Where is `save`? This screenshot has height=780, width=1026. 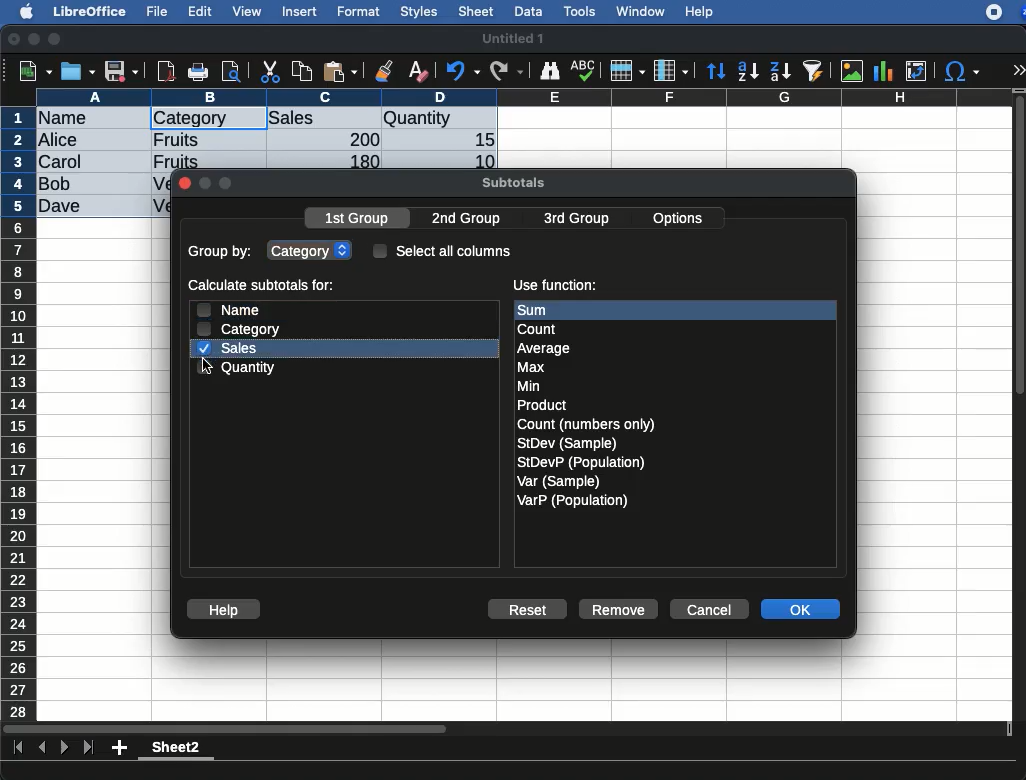 save is located at coordinates (122, 73).